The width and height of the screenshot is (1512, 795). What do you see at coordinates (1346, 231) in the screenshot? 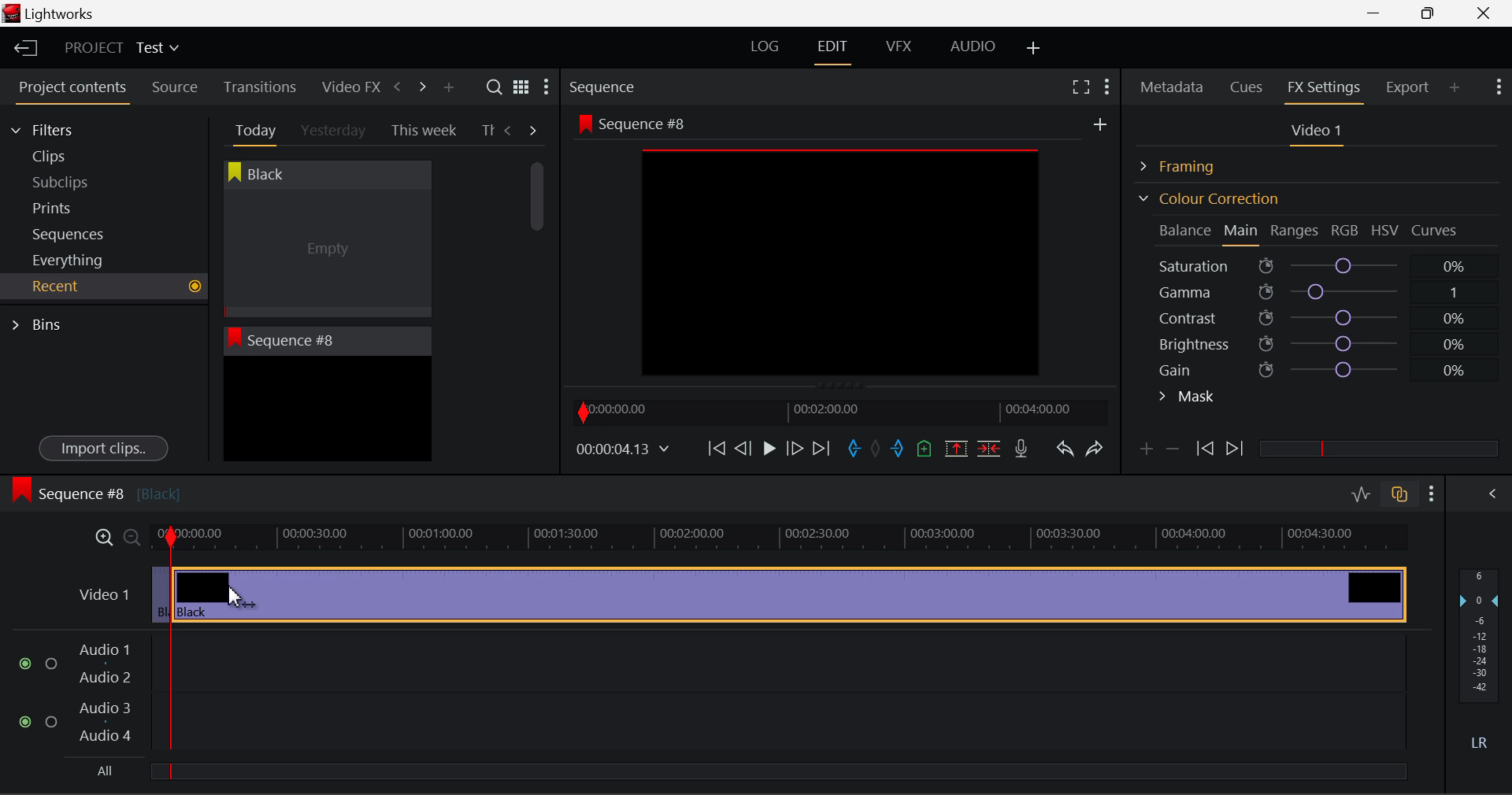
I see `RGB` at bounding box center [1346, 231].